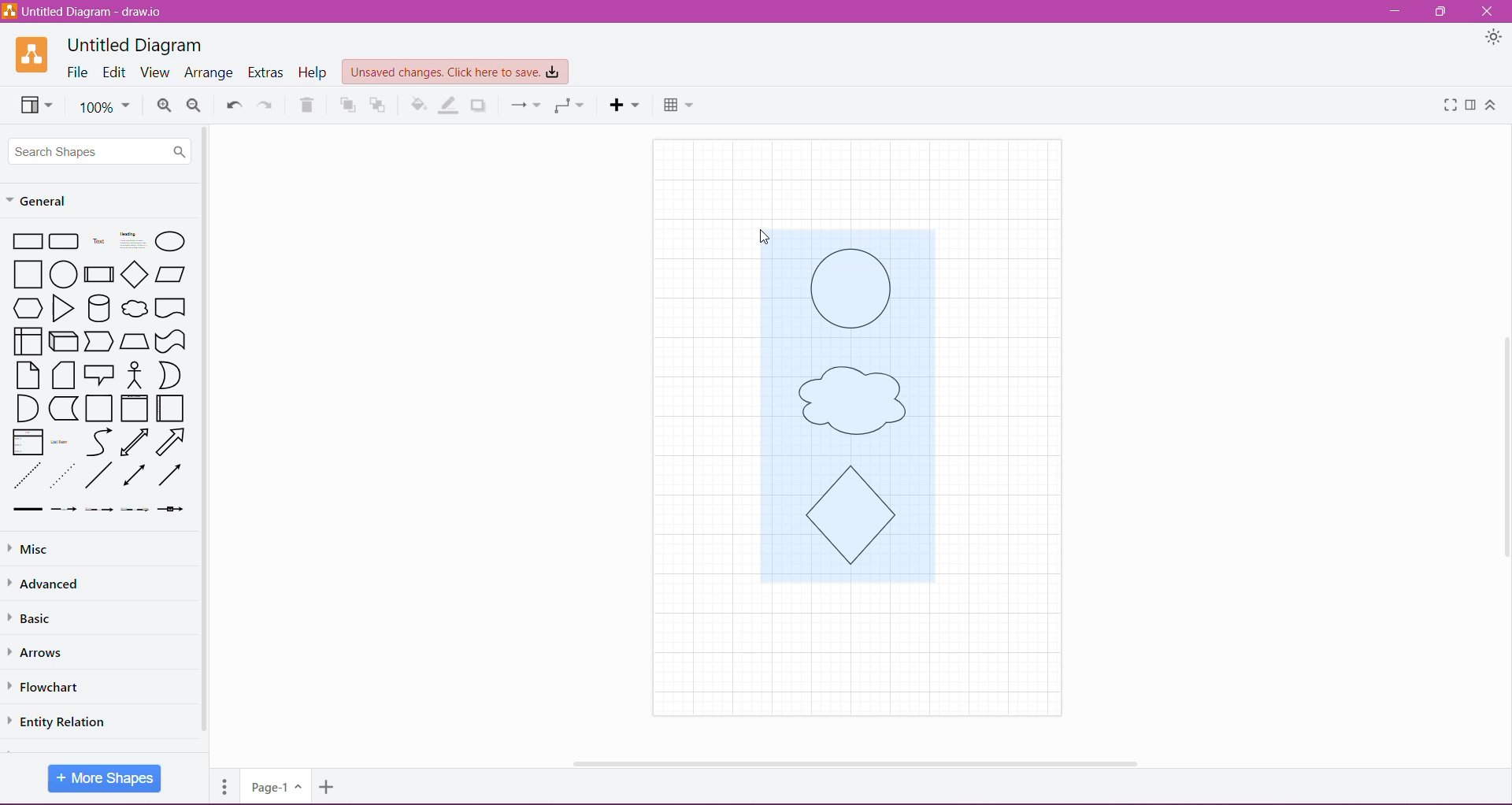 The width and height of the screenshot is (1512, 805). What do you see at coordinates (624, 105) in the screenshot?
I see `Insert` at bounding box center [624, 105].